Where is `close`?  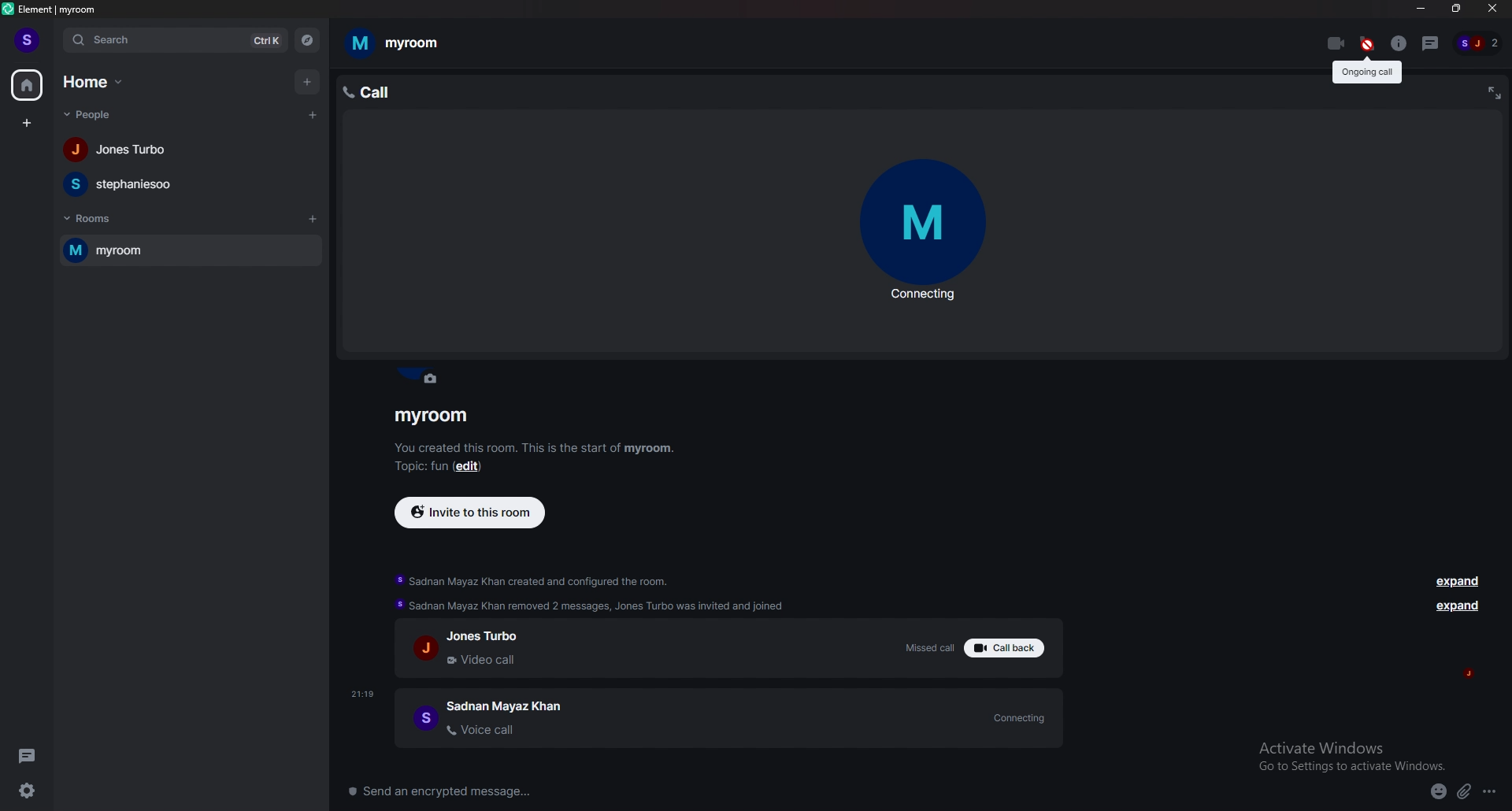
close is located at coordinates (1490, 9).